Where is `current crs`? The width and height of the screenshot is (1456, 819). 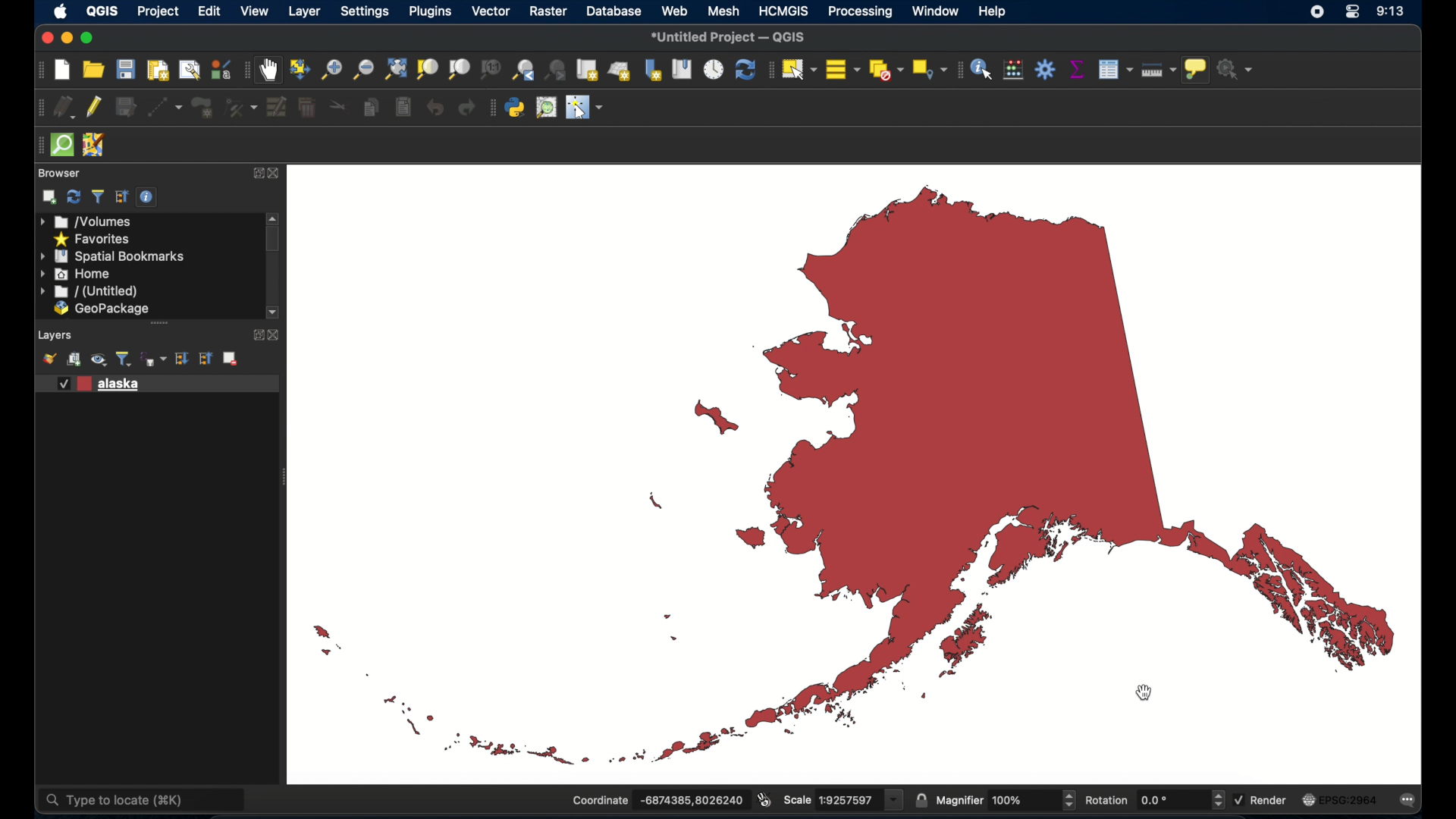
current crs is located at coordinates (1339, 801).